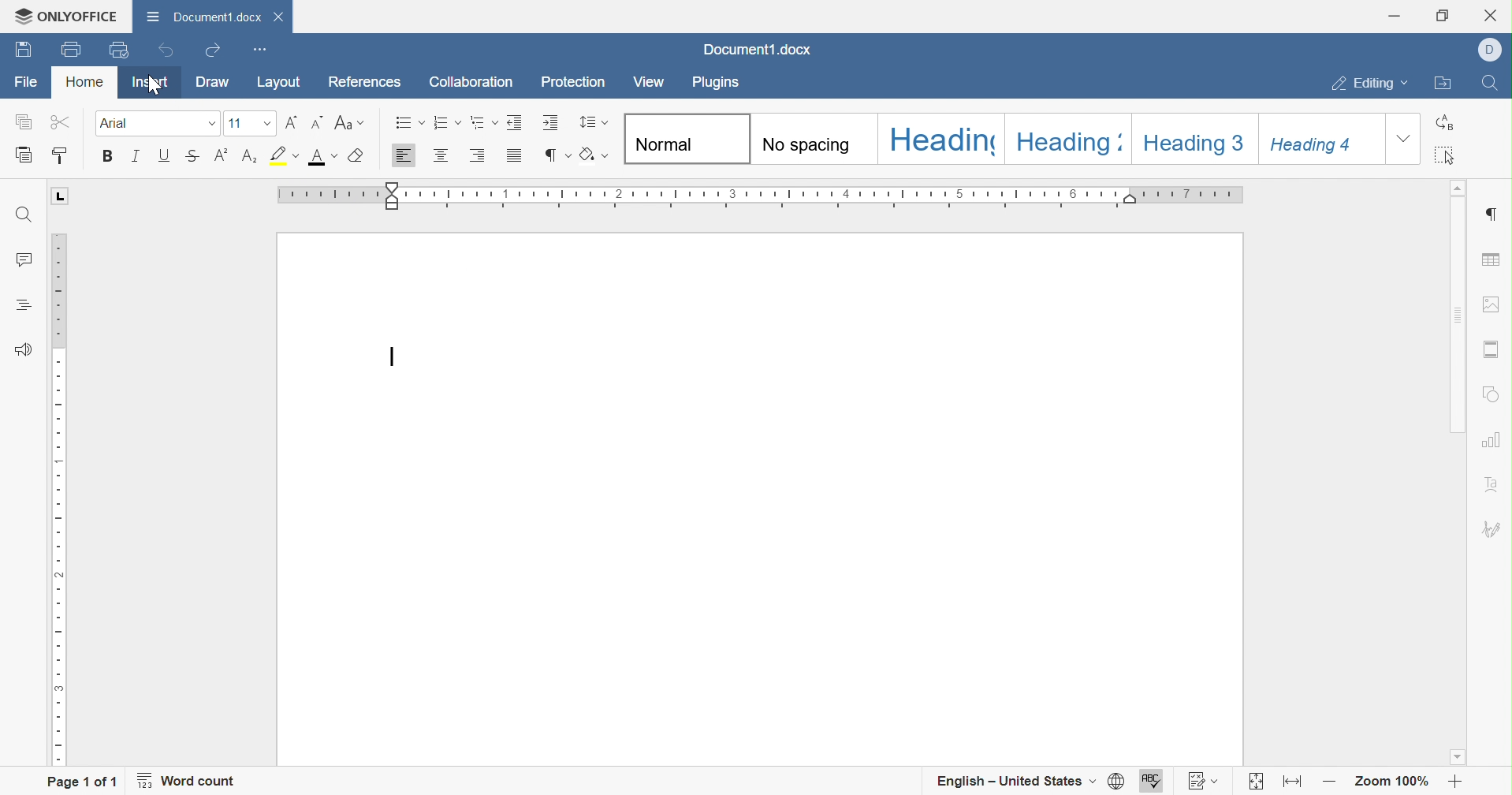 This screenshot has width=1512, height=795. I want to click on ONLYOFFICE, so click(72, 17).